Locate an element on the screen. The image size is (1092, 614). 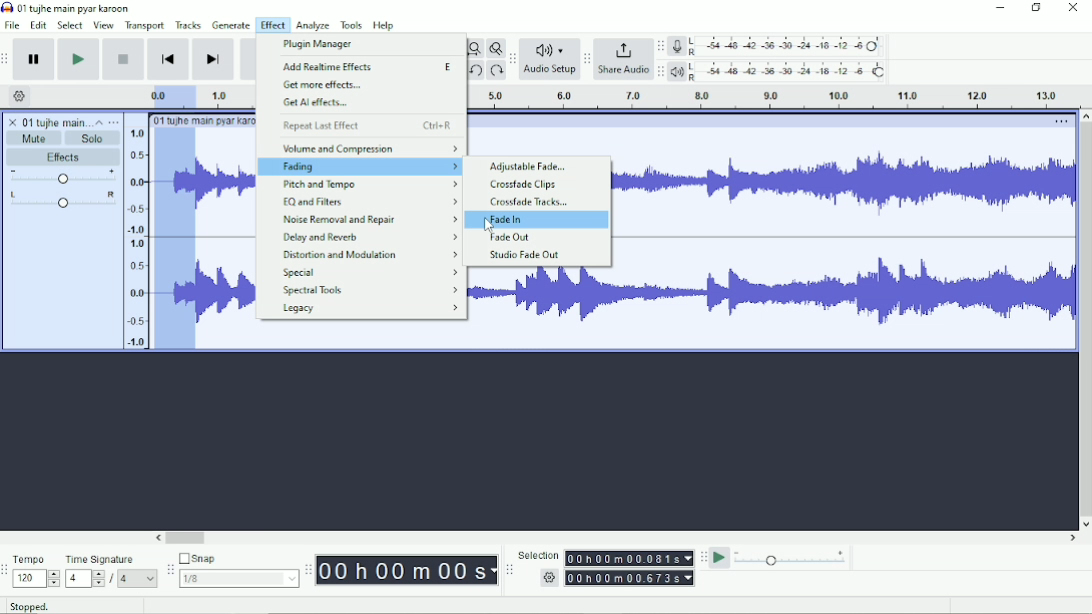
Noise Removal and Repair is located at coordinates (368, 219).